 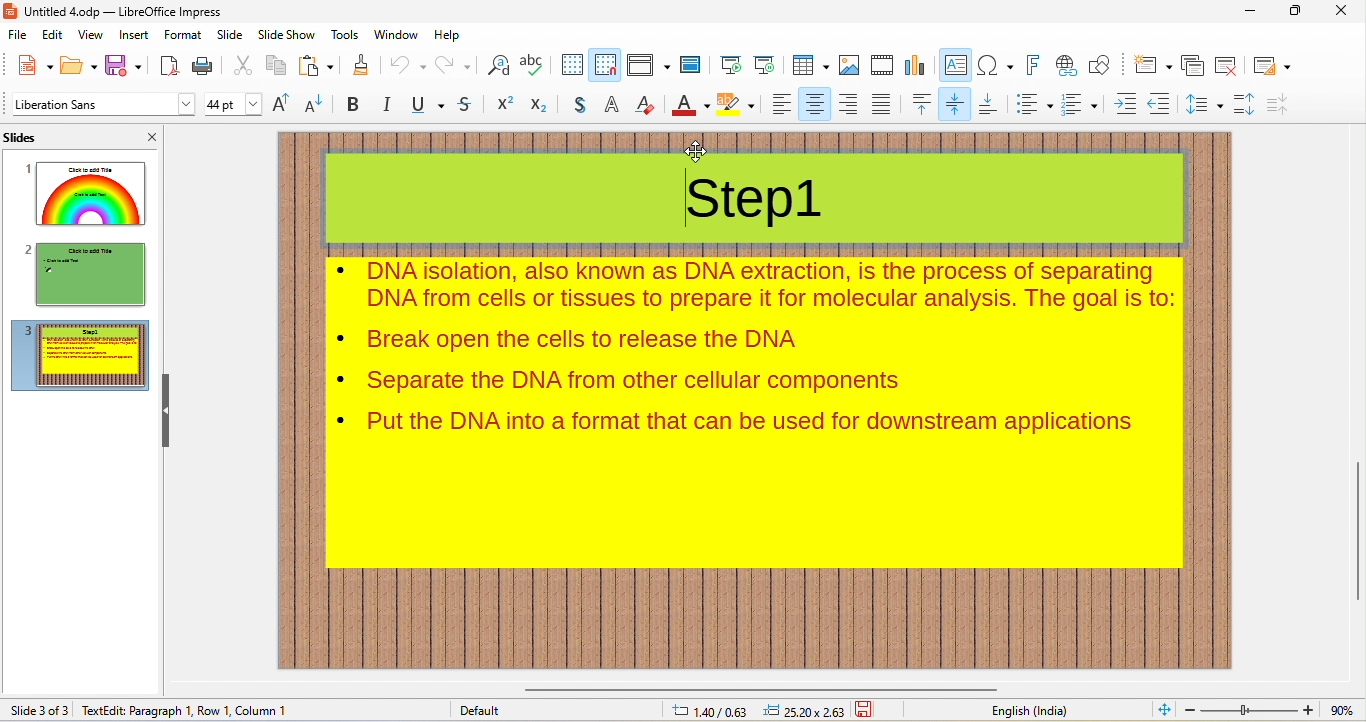 What do you see at coordinates (361, 65) in the screenshot?
I see `clone` at bounding box center [361, 65].